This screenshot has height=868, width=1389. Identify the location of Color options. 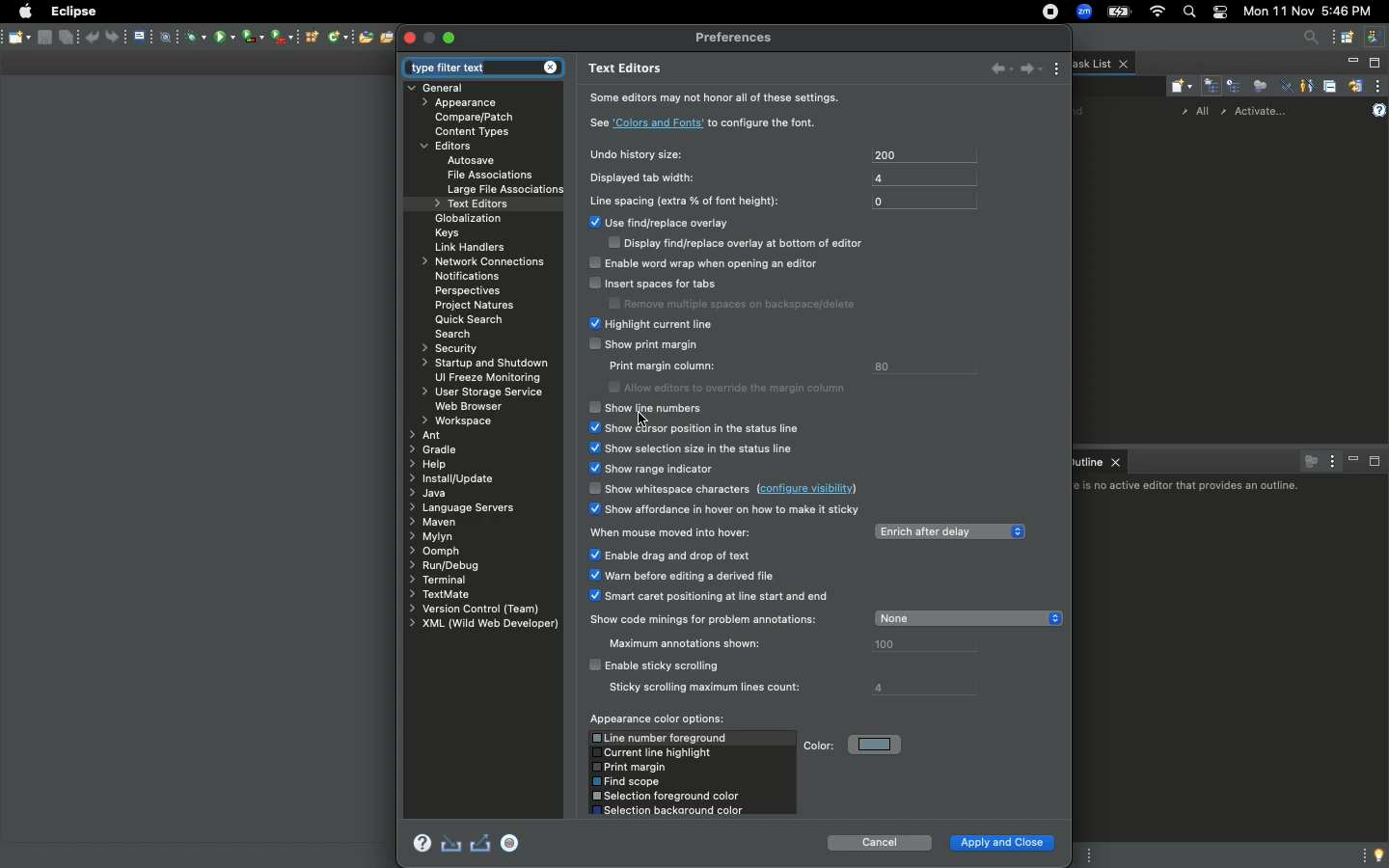
(692, 773).